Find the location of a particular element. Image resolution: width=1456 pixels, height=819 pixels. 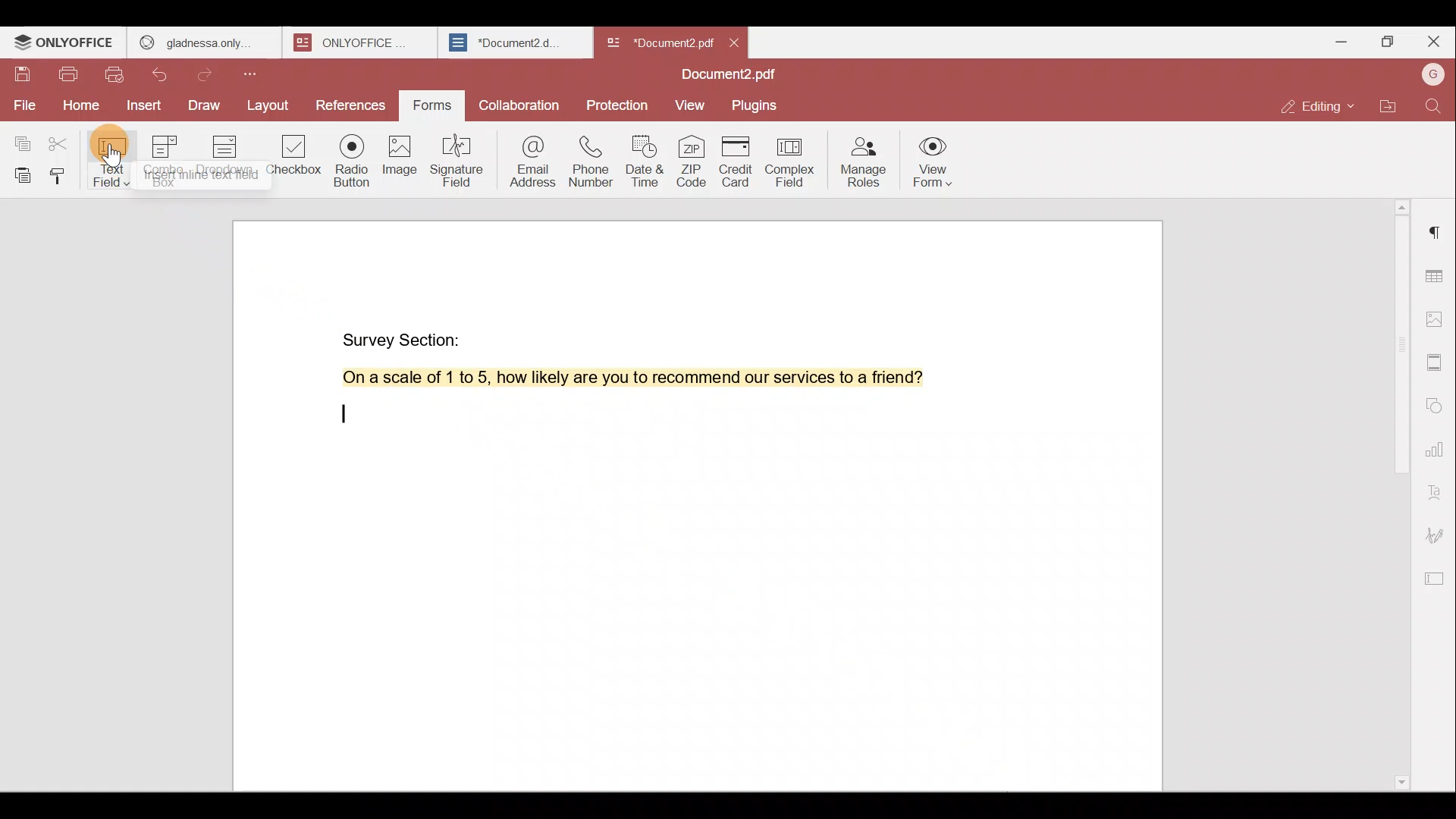

Home is located at coordinates (78, 108).